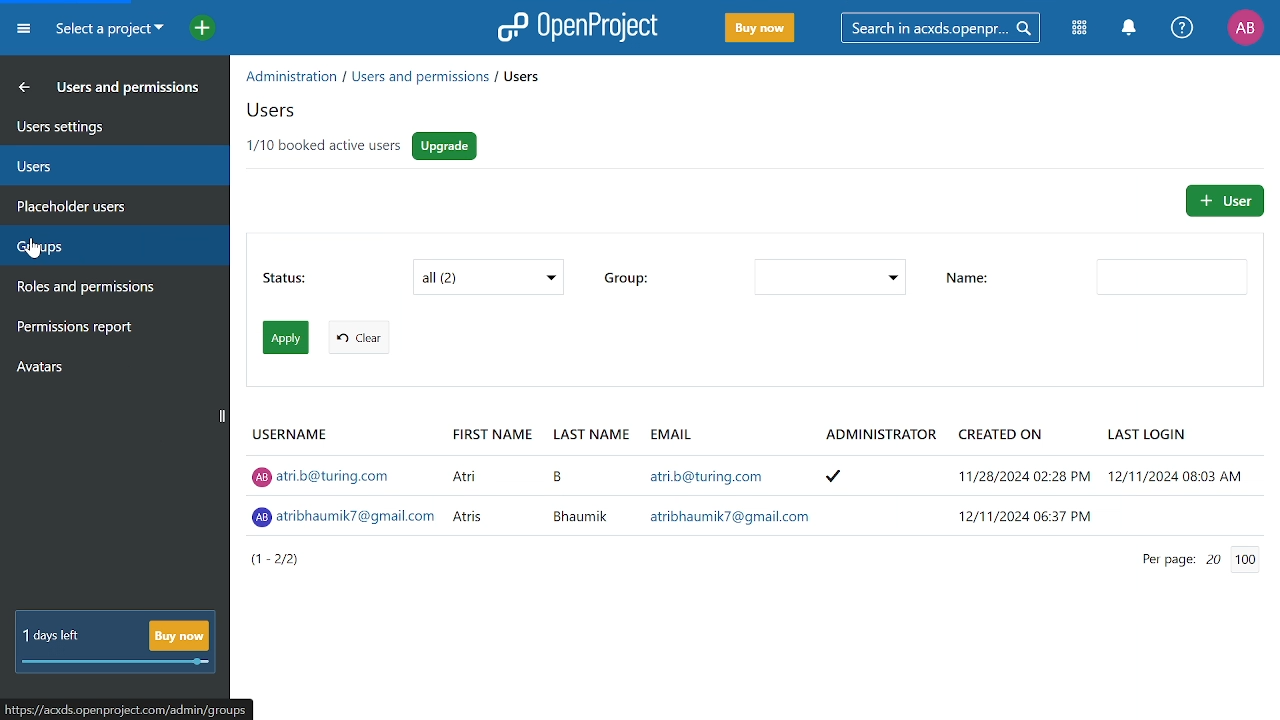 The image size is (1280, 720). I want to click on Avatars, so click(111, 371).